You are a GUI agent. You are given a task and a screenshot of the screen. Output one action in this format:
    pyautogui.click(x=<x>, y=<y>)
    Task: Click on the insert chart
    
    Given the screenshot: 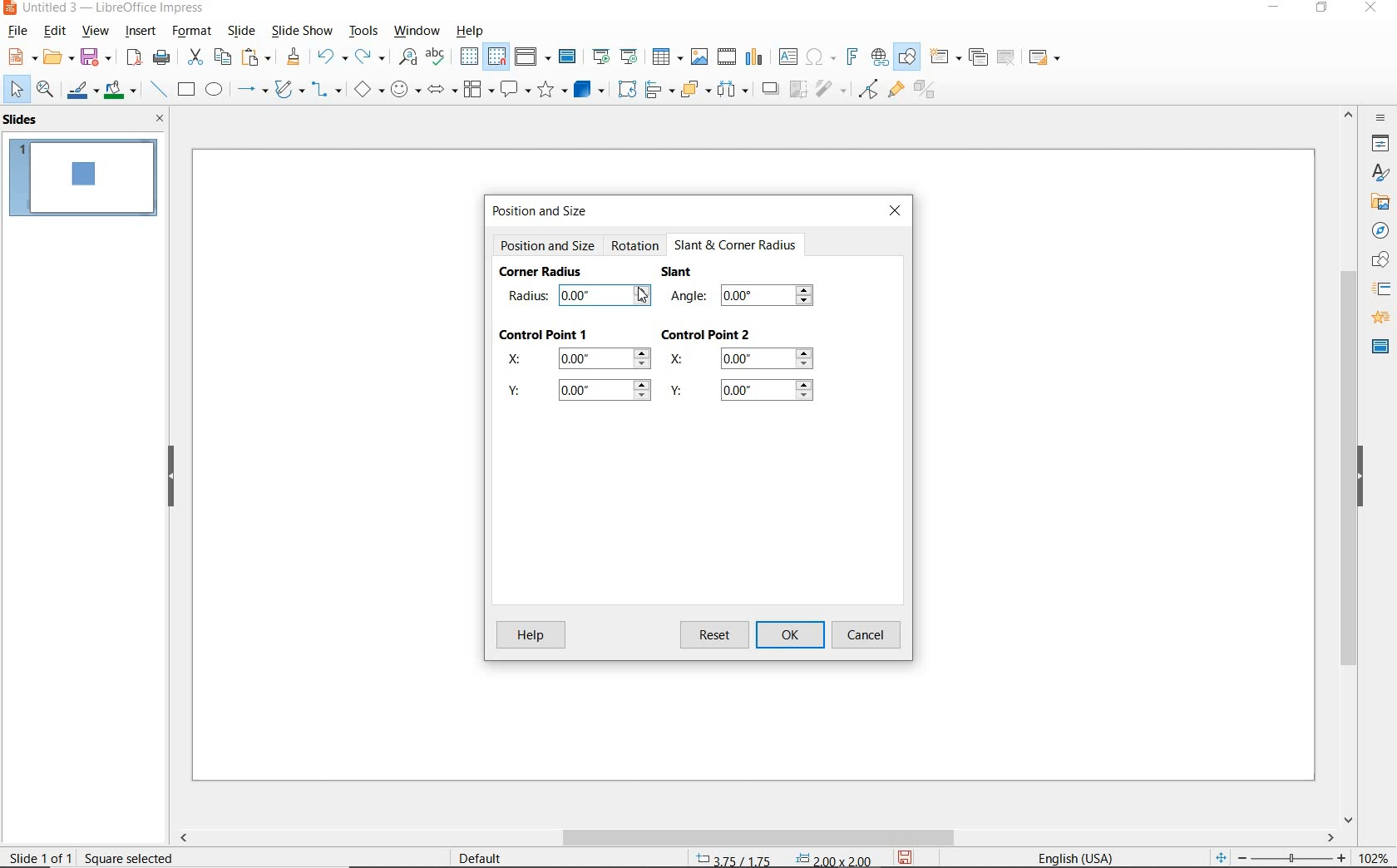 What is the action you would take?
    pyautogui.click(x=757, y=57)
    